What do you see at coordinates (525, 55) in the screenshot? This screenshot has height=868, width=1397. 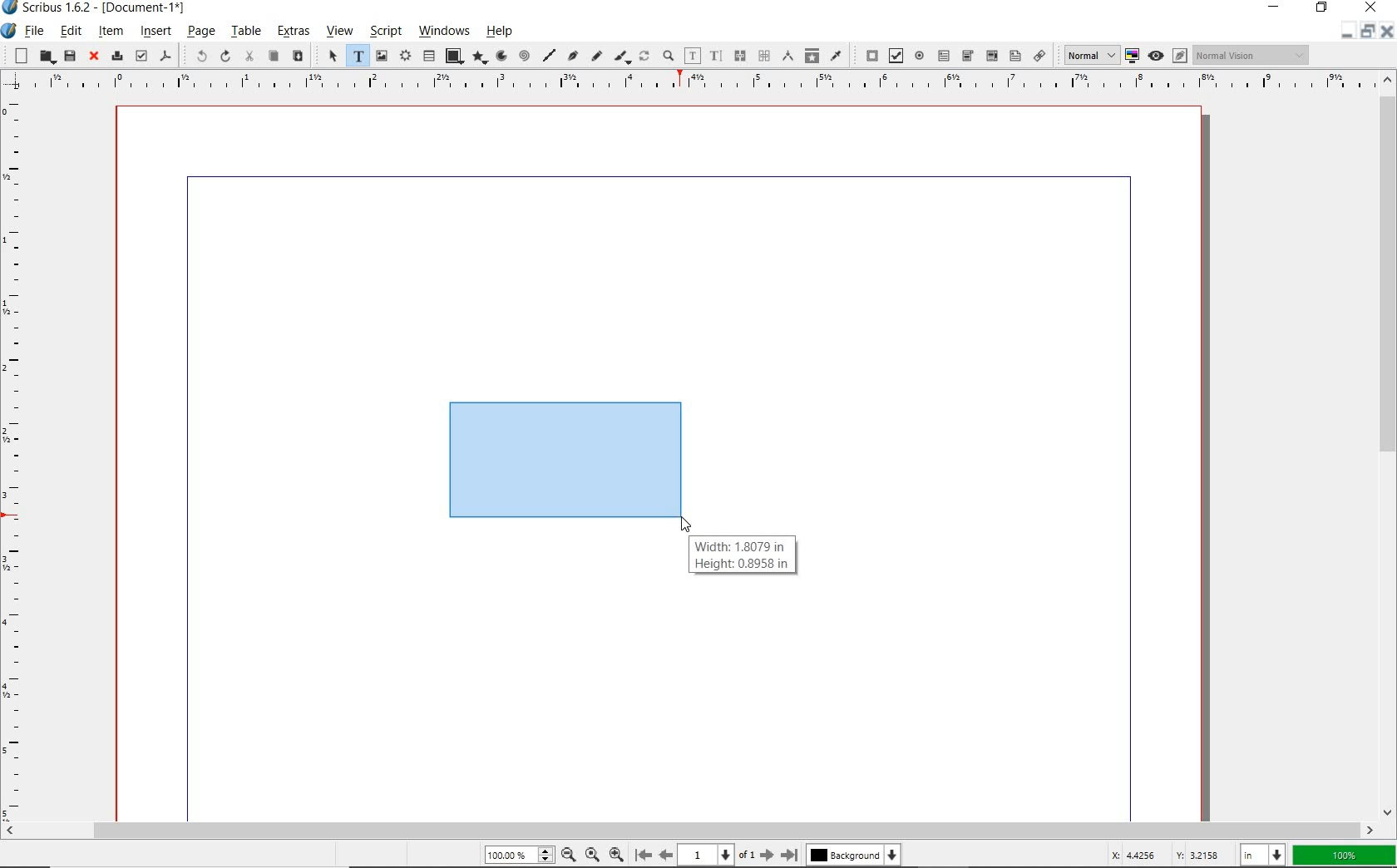 I see `spiral` at bounding box center [525, 55].